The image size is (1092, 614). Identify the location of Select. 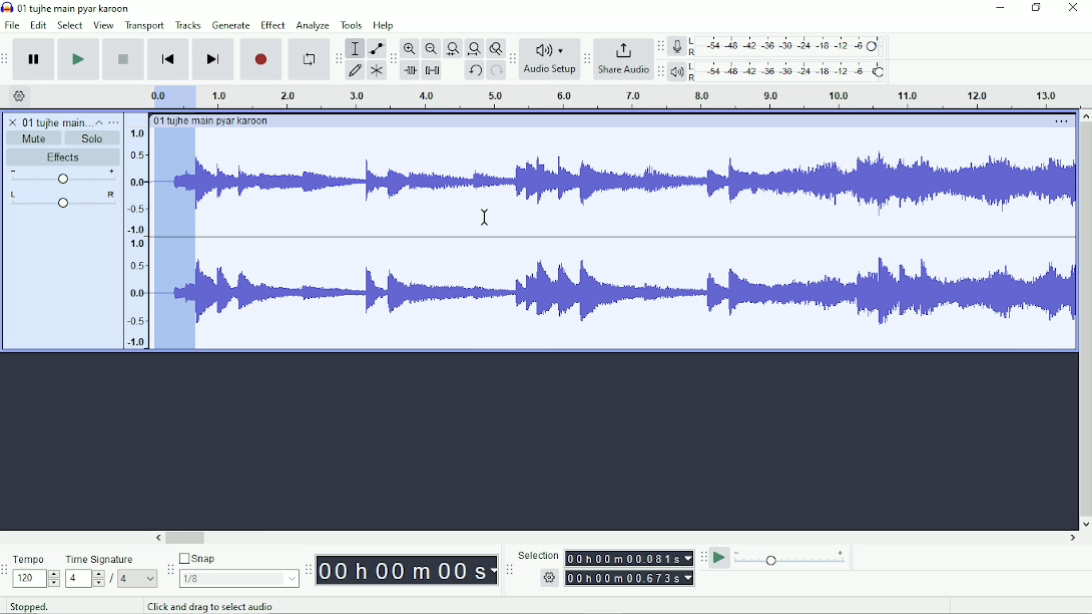
(70, 25).